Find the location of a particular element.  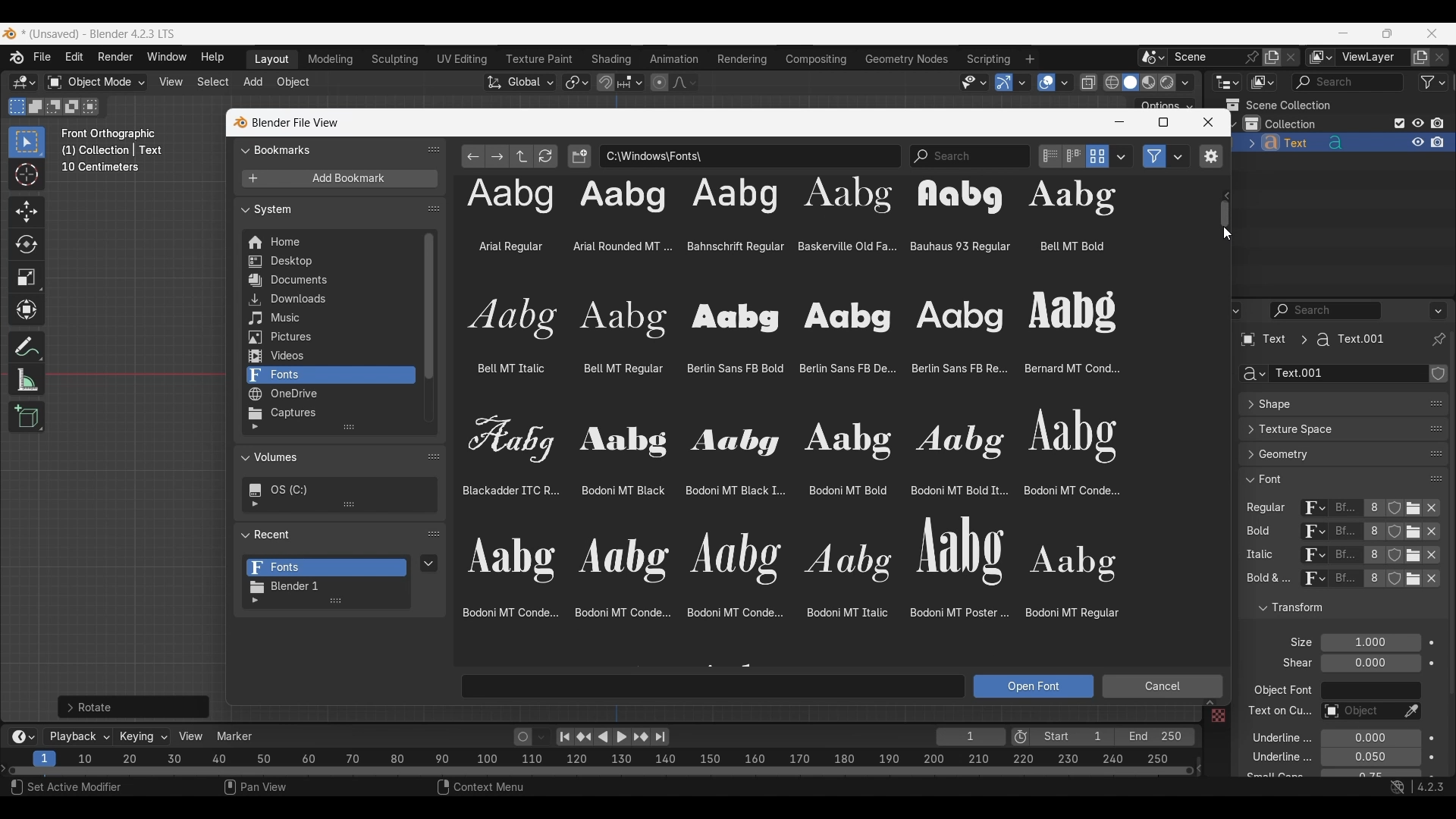

Cancel selected option is located at coordinates (1162, 686).